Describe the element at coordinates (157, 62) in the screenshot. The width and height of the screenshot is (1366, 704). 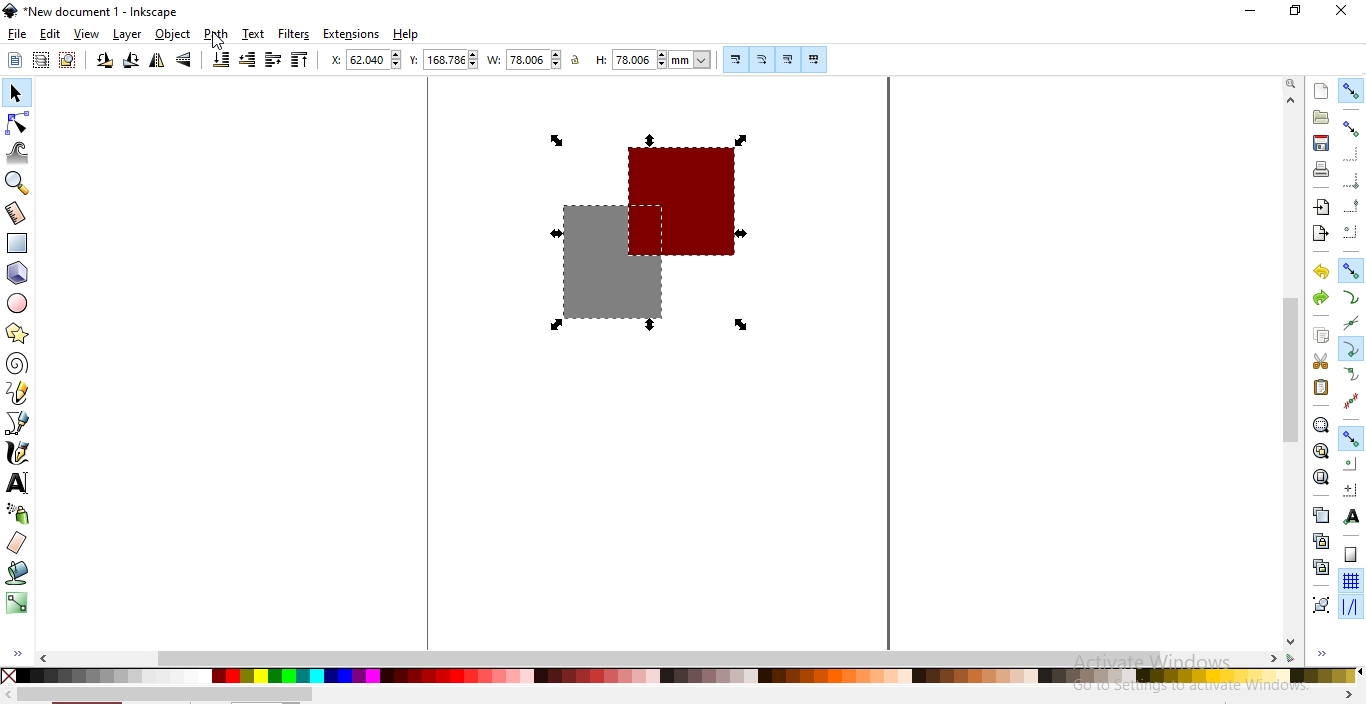
I see `flip horizontal` at that location.